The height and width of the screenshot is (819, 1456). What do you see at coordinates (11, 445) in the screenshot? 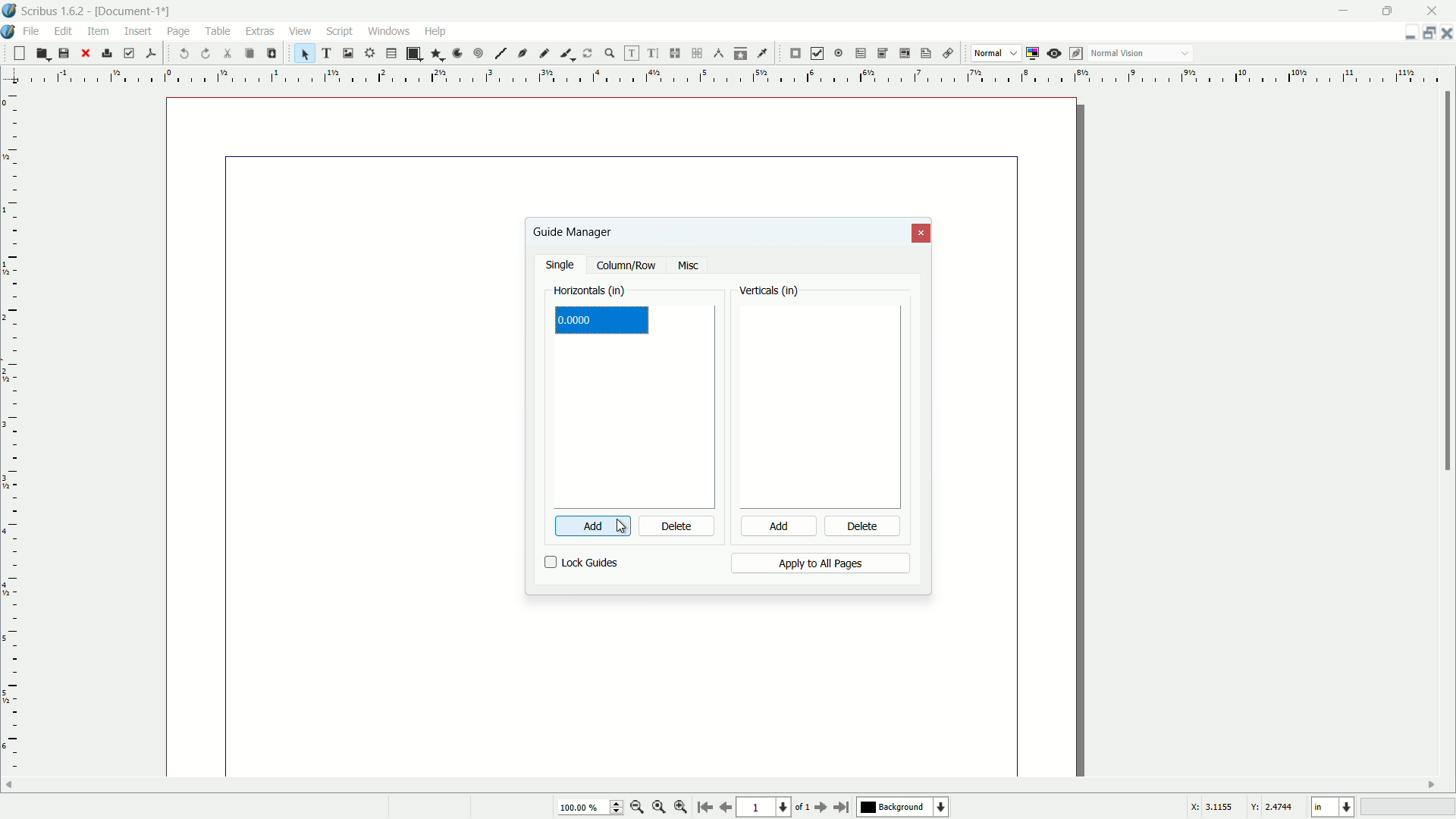
I see `measuring scale` at bounding box center [11, 445].